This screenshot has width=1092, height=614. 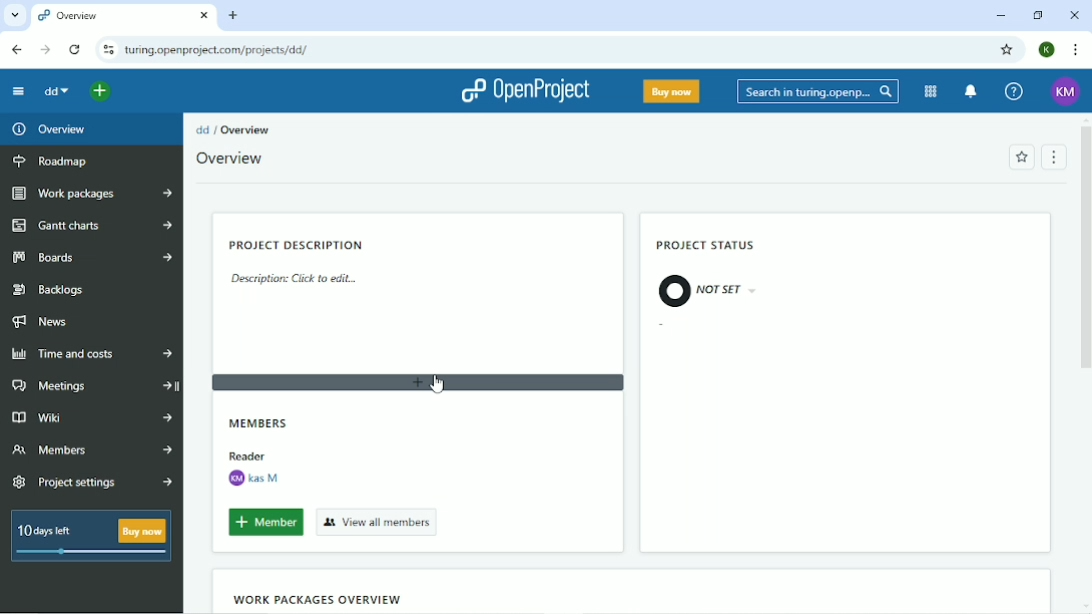 I want to click on Forward, so click(x=46, y=50).